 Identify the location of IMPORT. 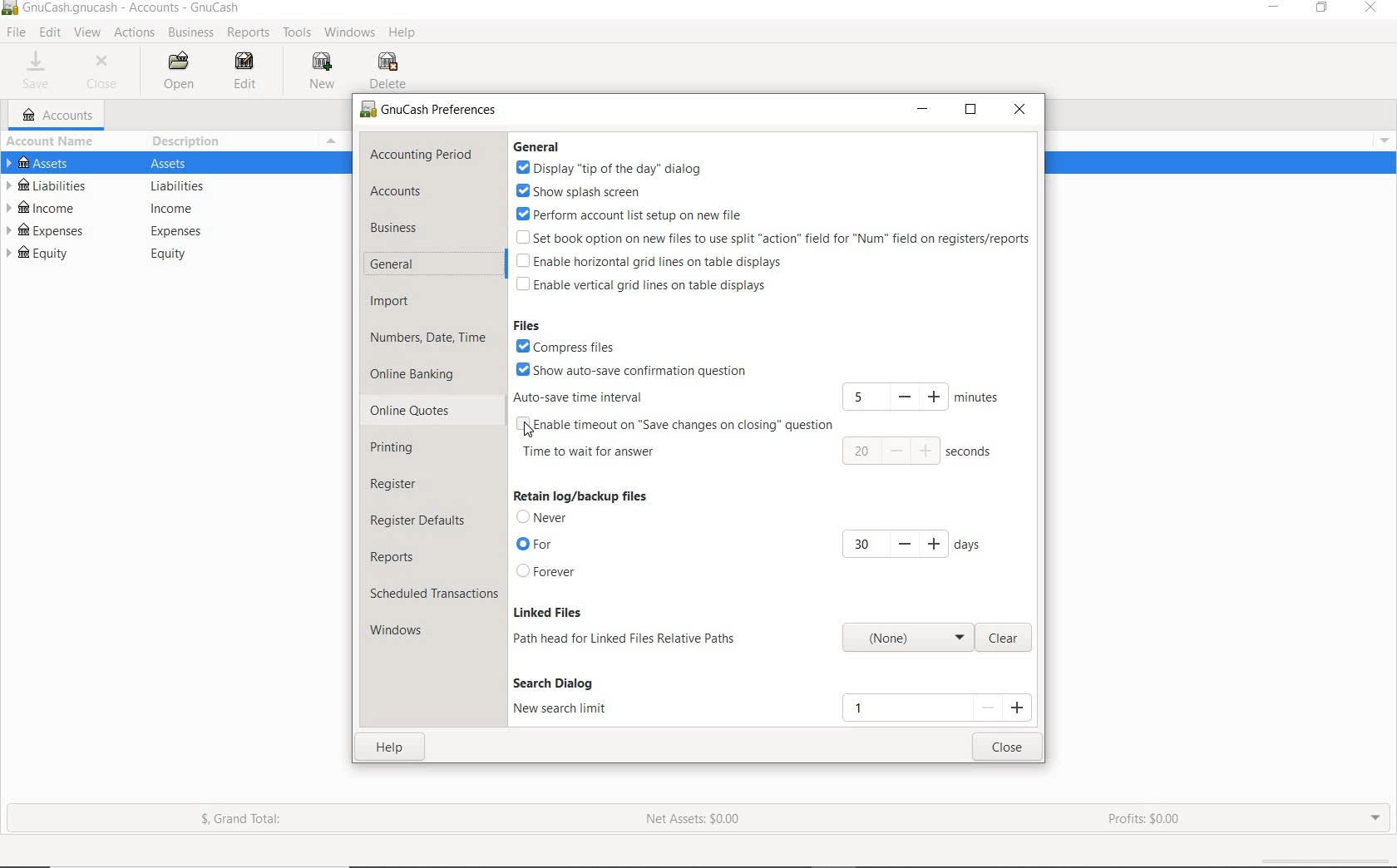
(390, 300).